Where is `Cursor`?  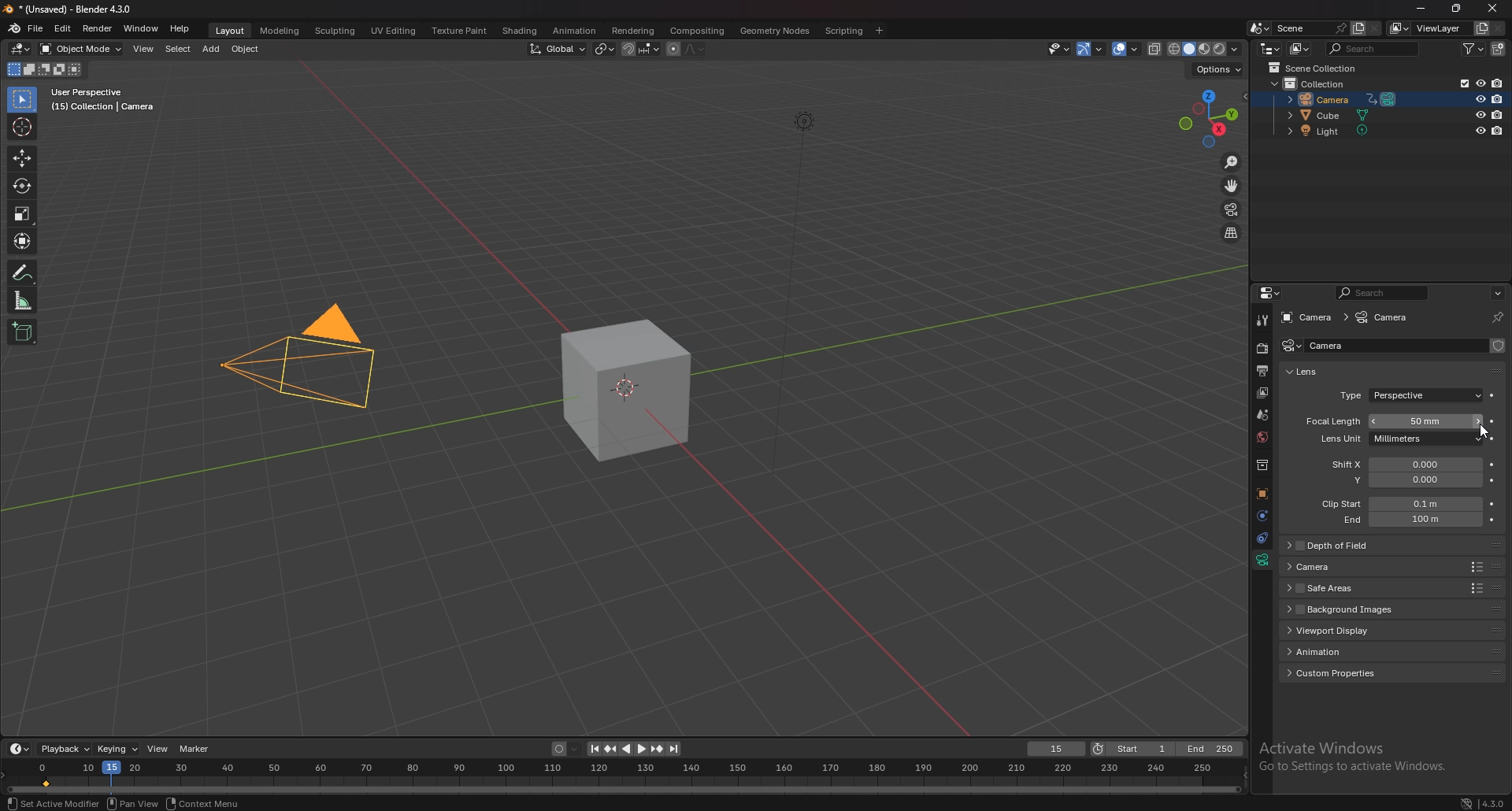 Cursor is located at coordinates (1480, 434).